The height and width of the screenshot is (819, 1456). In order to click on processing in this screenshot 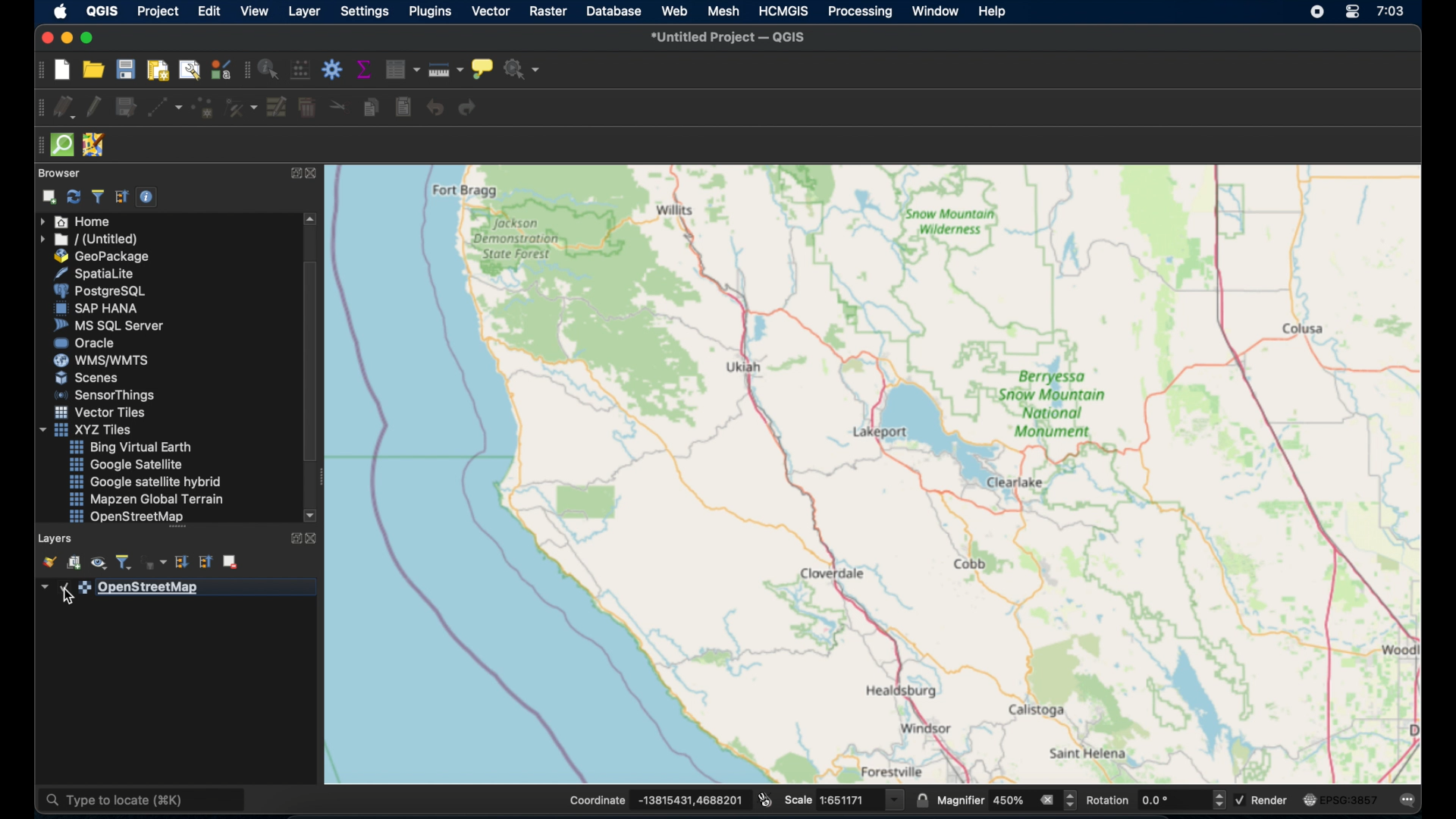, I will do `click(859, 12)`.